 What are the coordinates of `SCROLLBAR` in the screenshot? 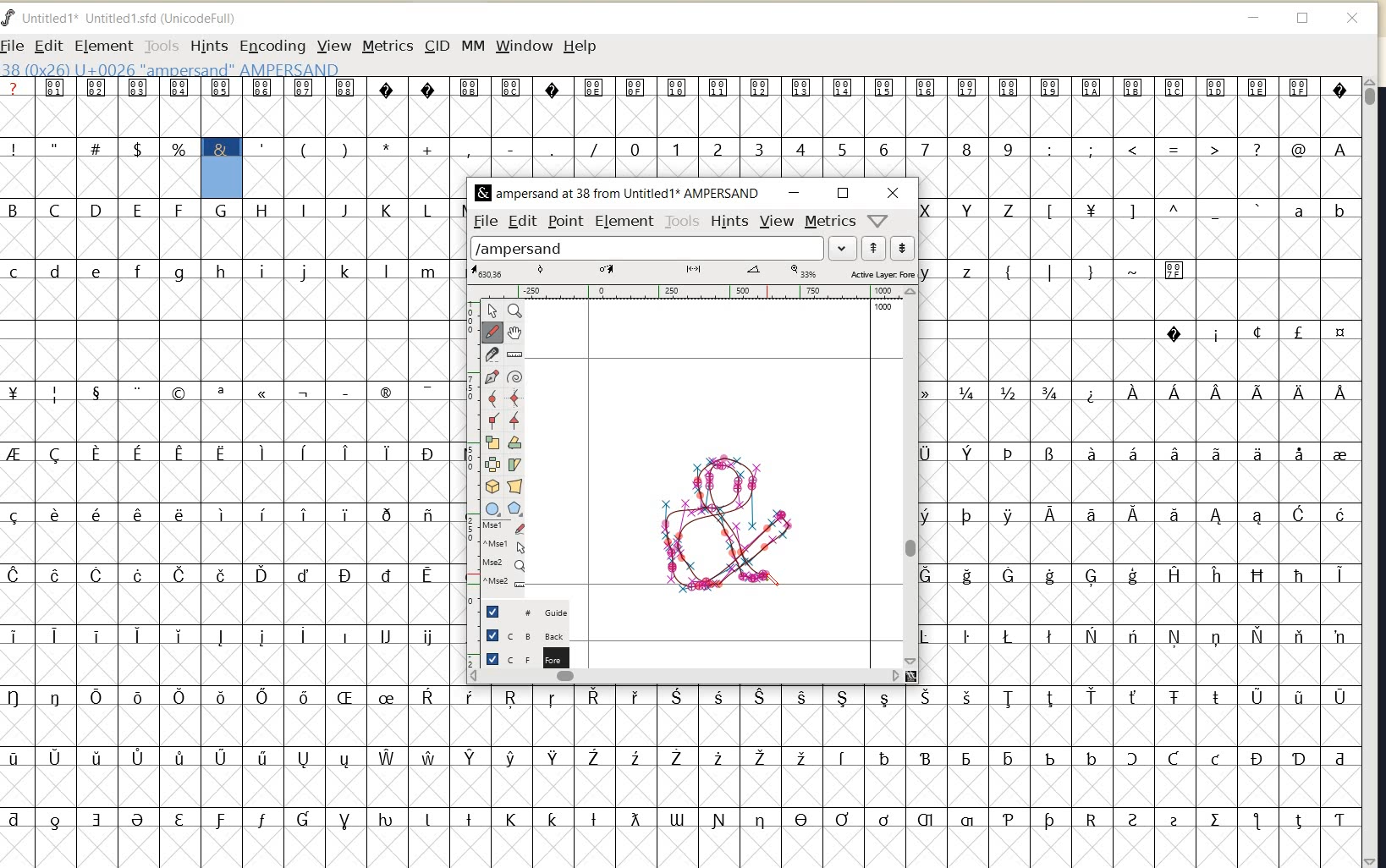 It's located at (1372, 472).